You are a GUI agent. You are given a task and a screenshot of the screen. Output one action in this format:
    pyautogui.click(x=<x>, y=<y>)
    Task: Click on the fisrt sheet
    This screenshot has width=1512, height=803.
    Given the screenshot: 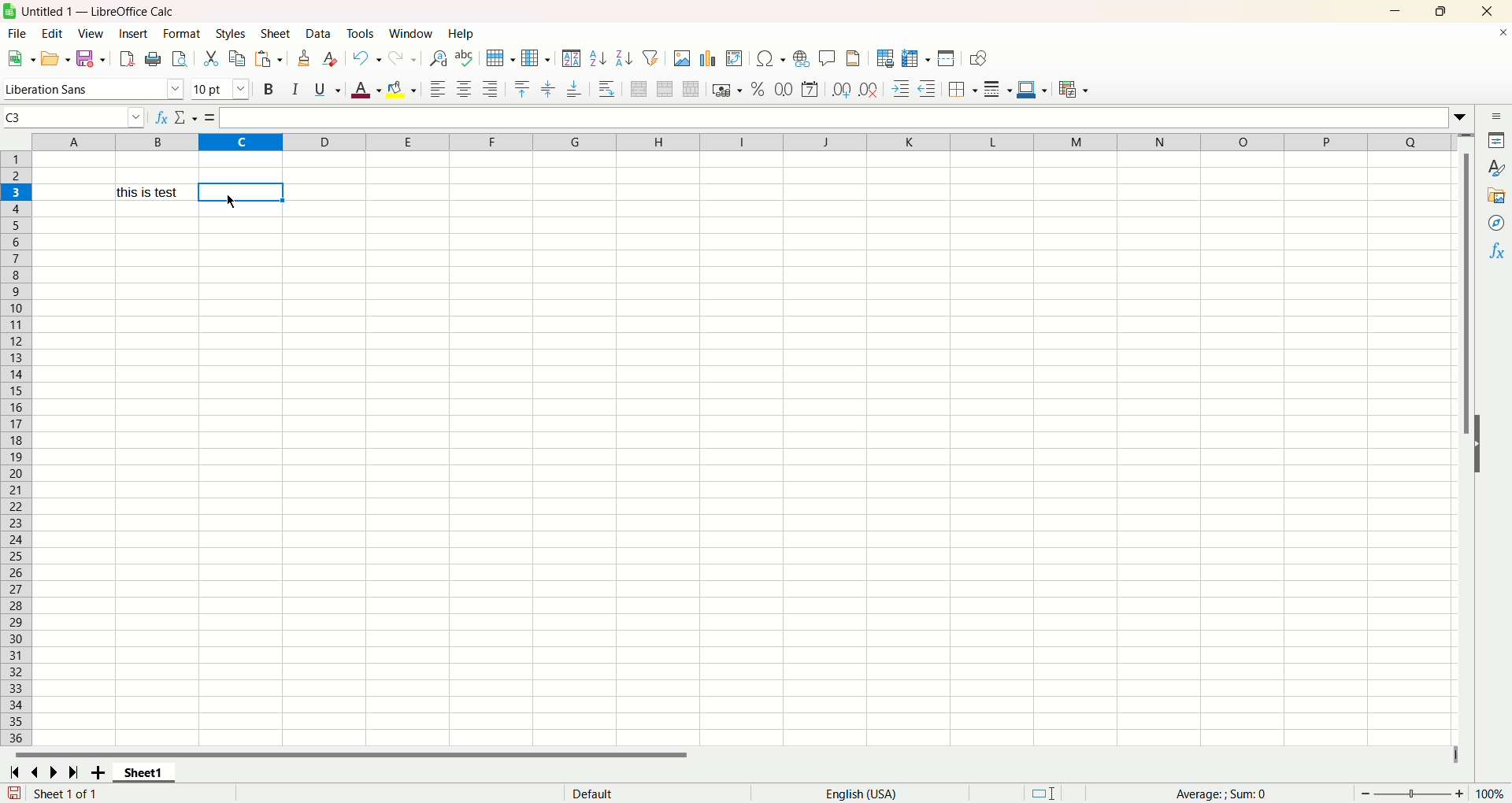 What is the action you would take?
    pyautogui.click(x=13, y=772)
    